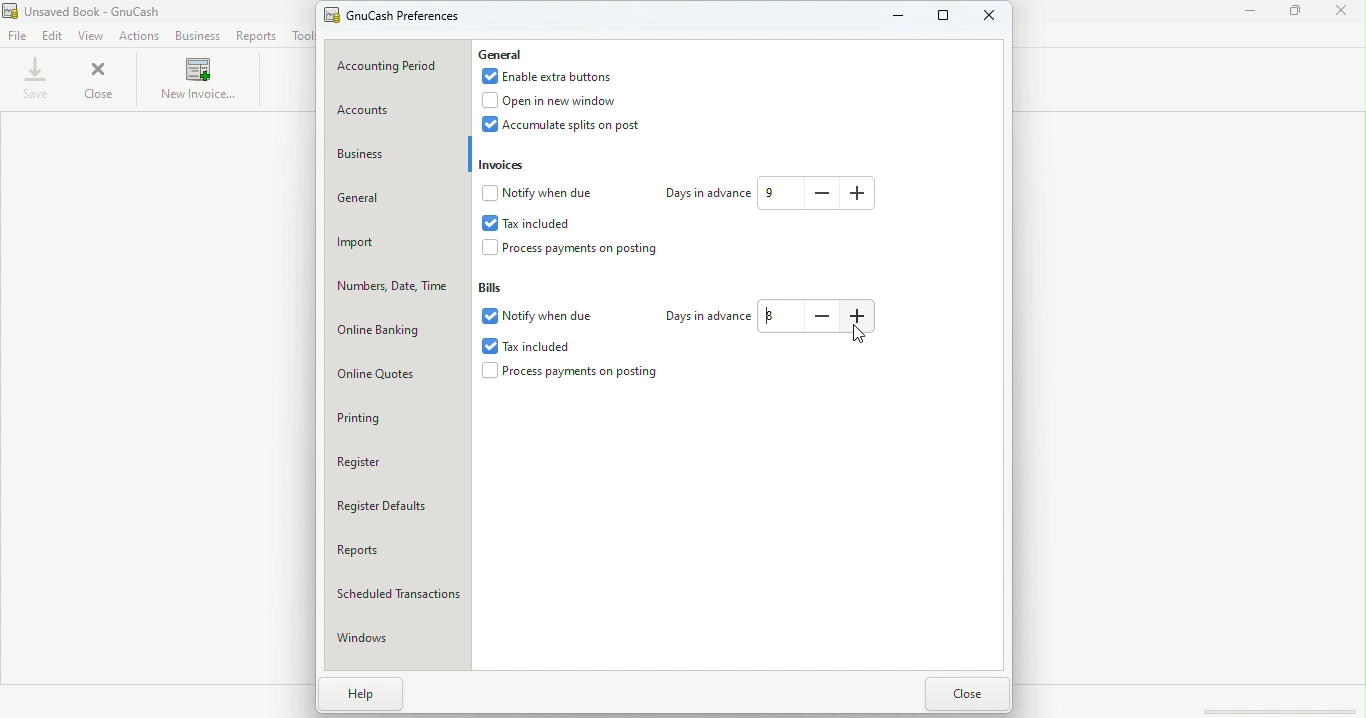  What do you see at coordinates (390, 286) in the screenshot?
I see `Numbers, date, time` at bounding box center [390, 286].